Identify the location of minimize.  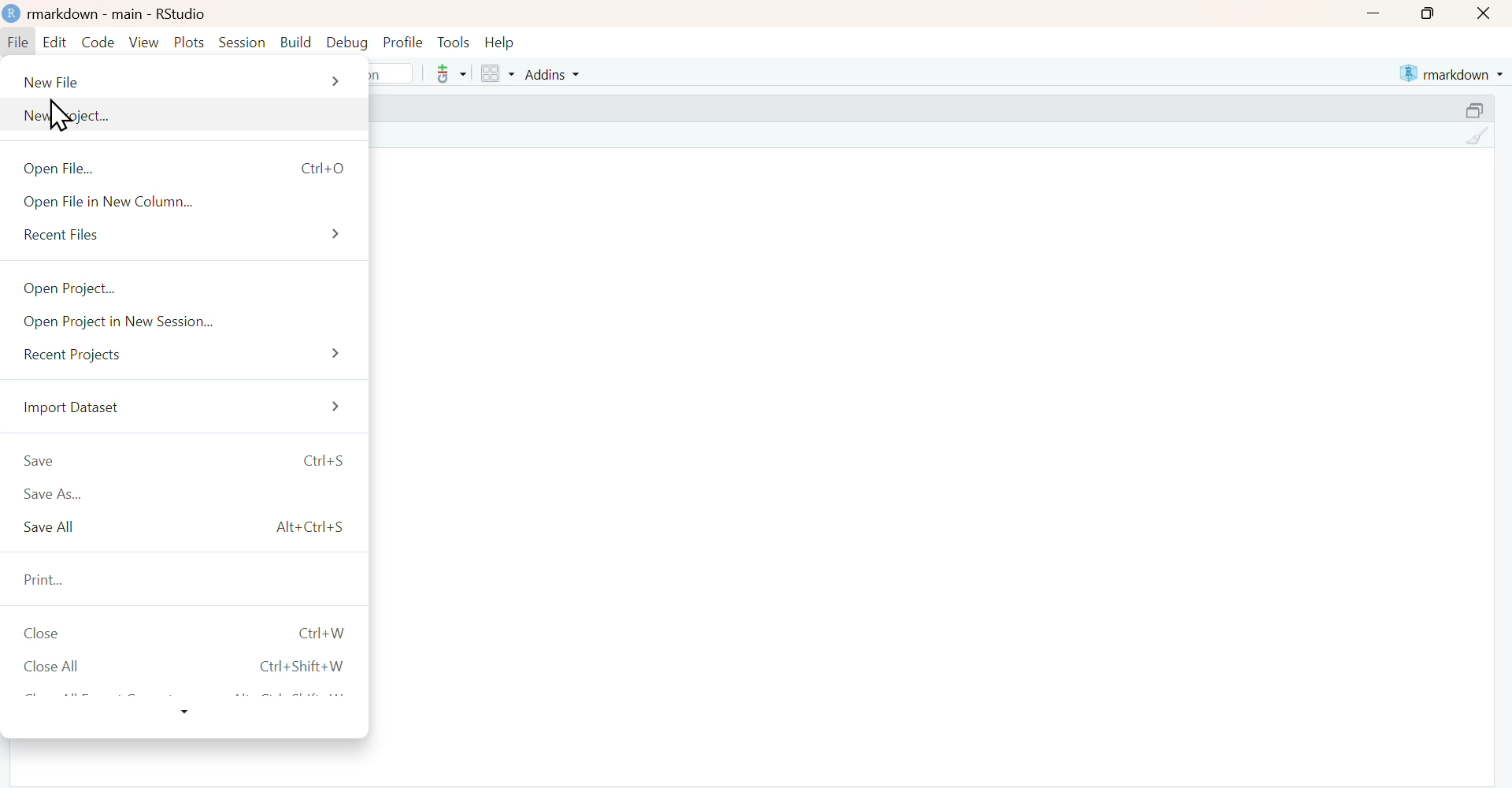
(1373, 13).